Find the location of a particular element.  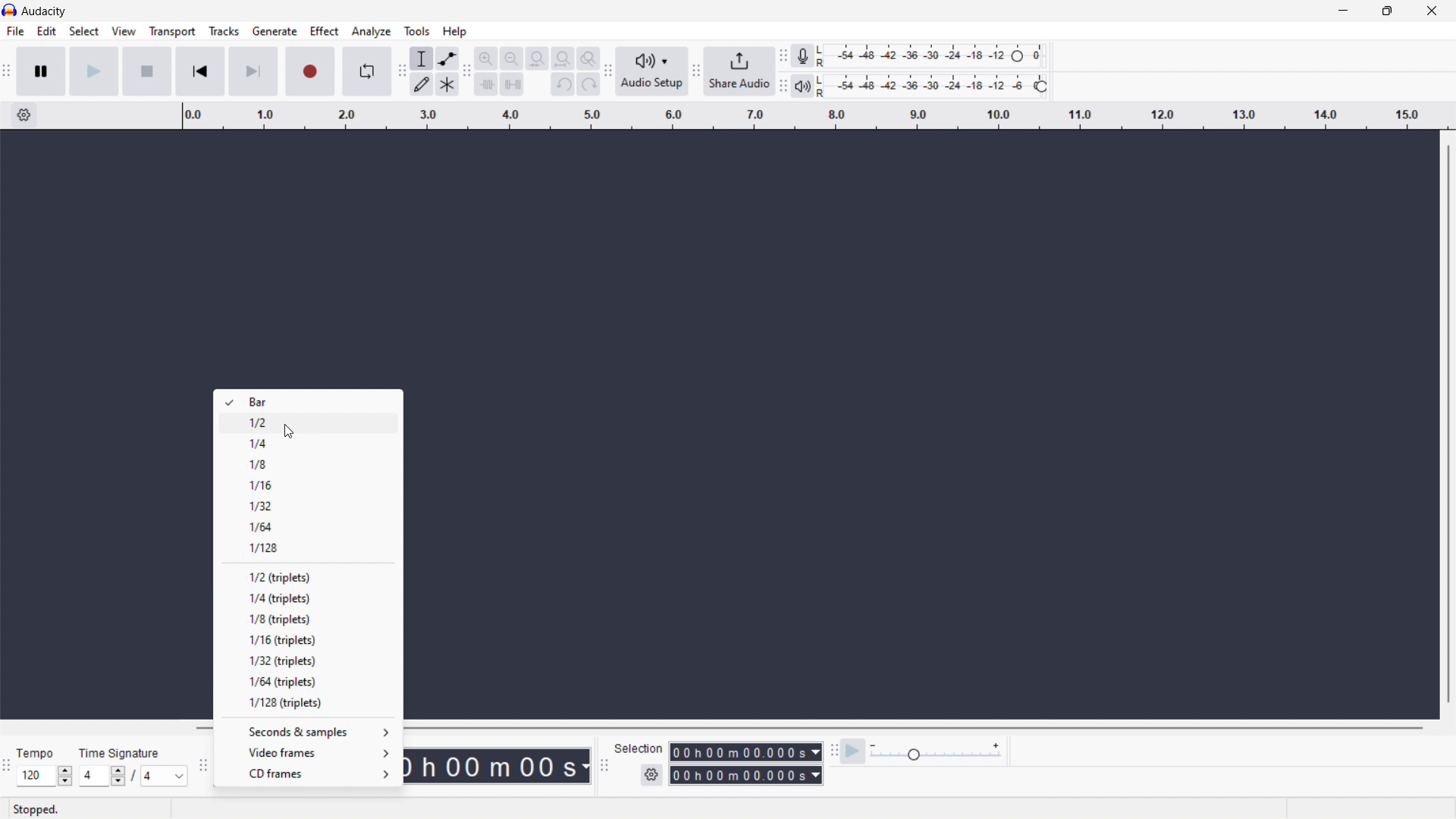

recording meter is located at coordinates (802, 55).